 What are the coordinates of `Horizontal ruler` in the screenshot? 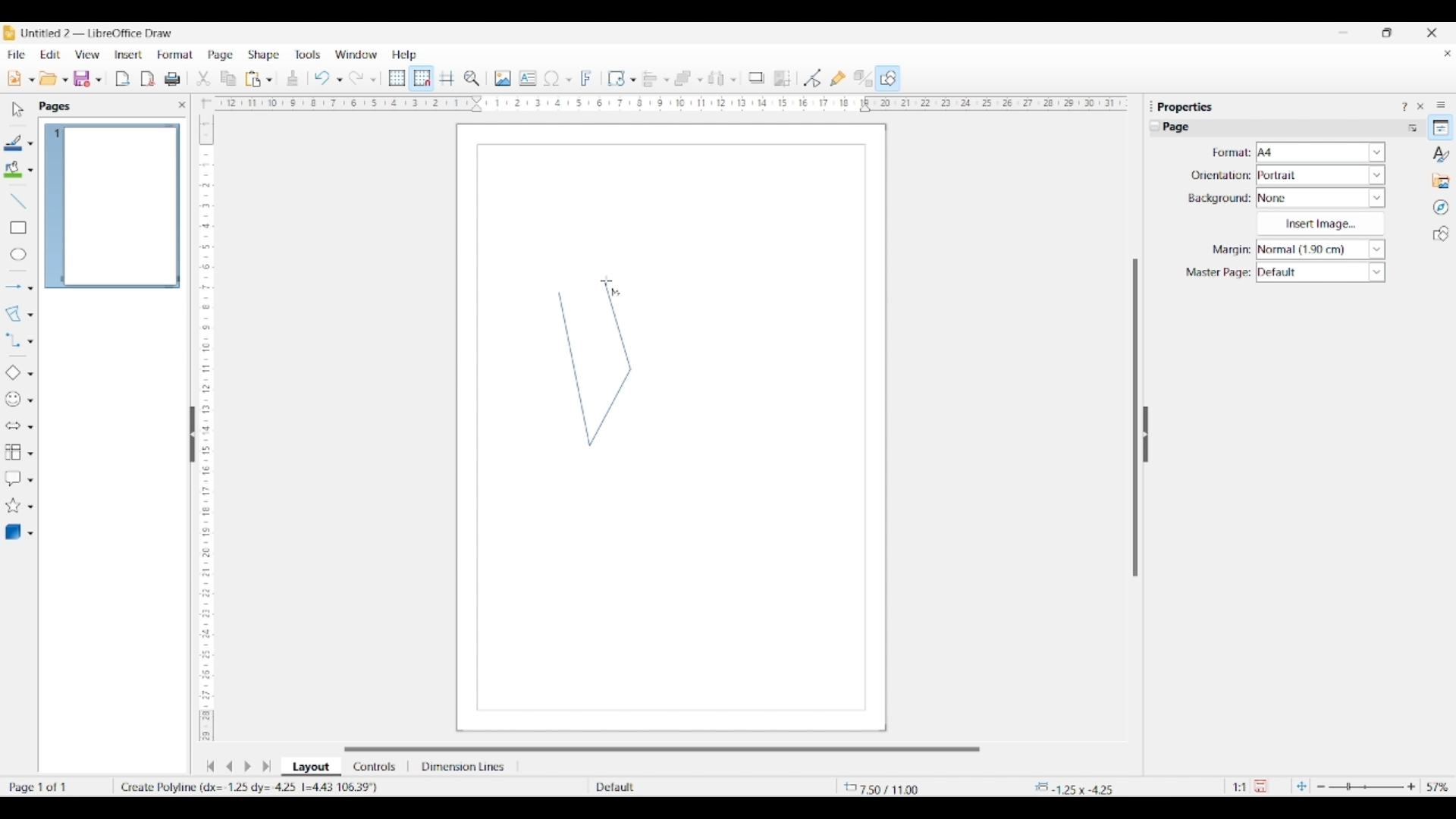 It's located at (666, 103).